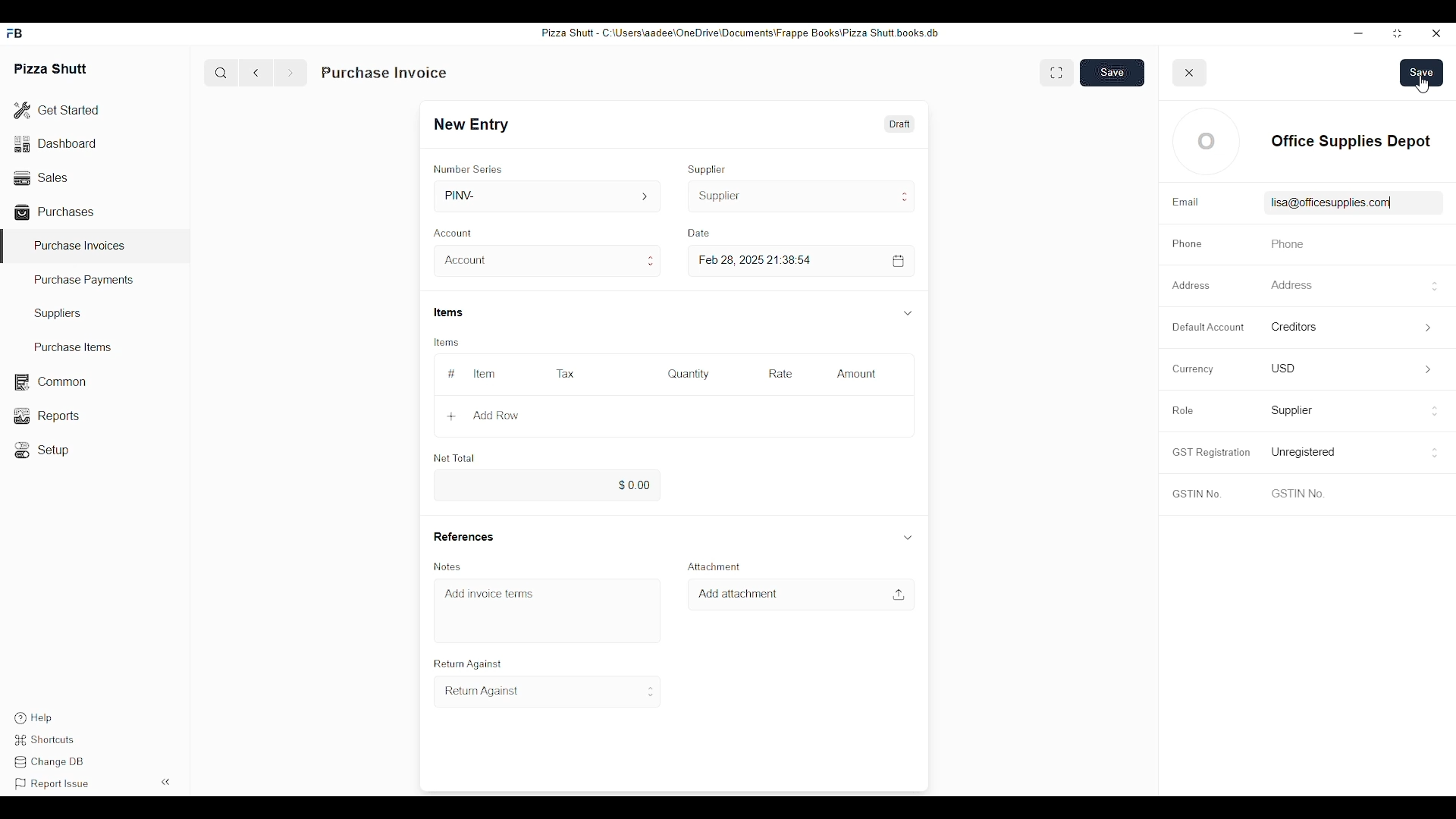 The height and width of the screenshot is (819, 1456). What do you see at coordinates (384, 73) in the screenshot?
I see `Purchase Invoice` at bounding box center [384, 73].